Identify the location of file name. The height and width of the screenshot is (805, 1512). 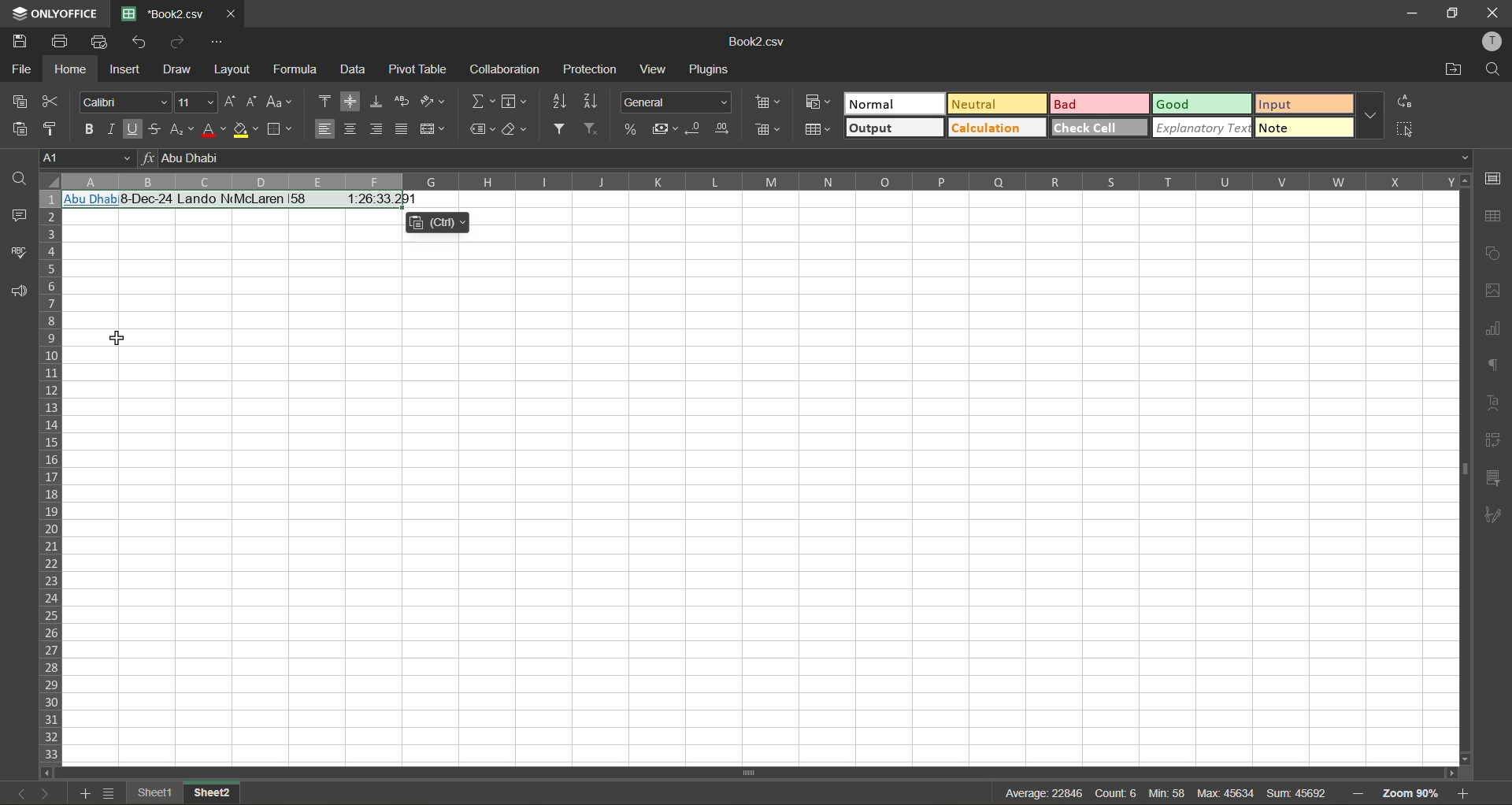
(761, 43).